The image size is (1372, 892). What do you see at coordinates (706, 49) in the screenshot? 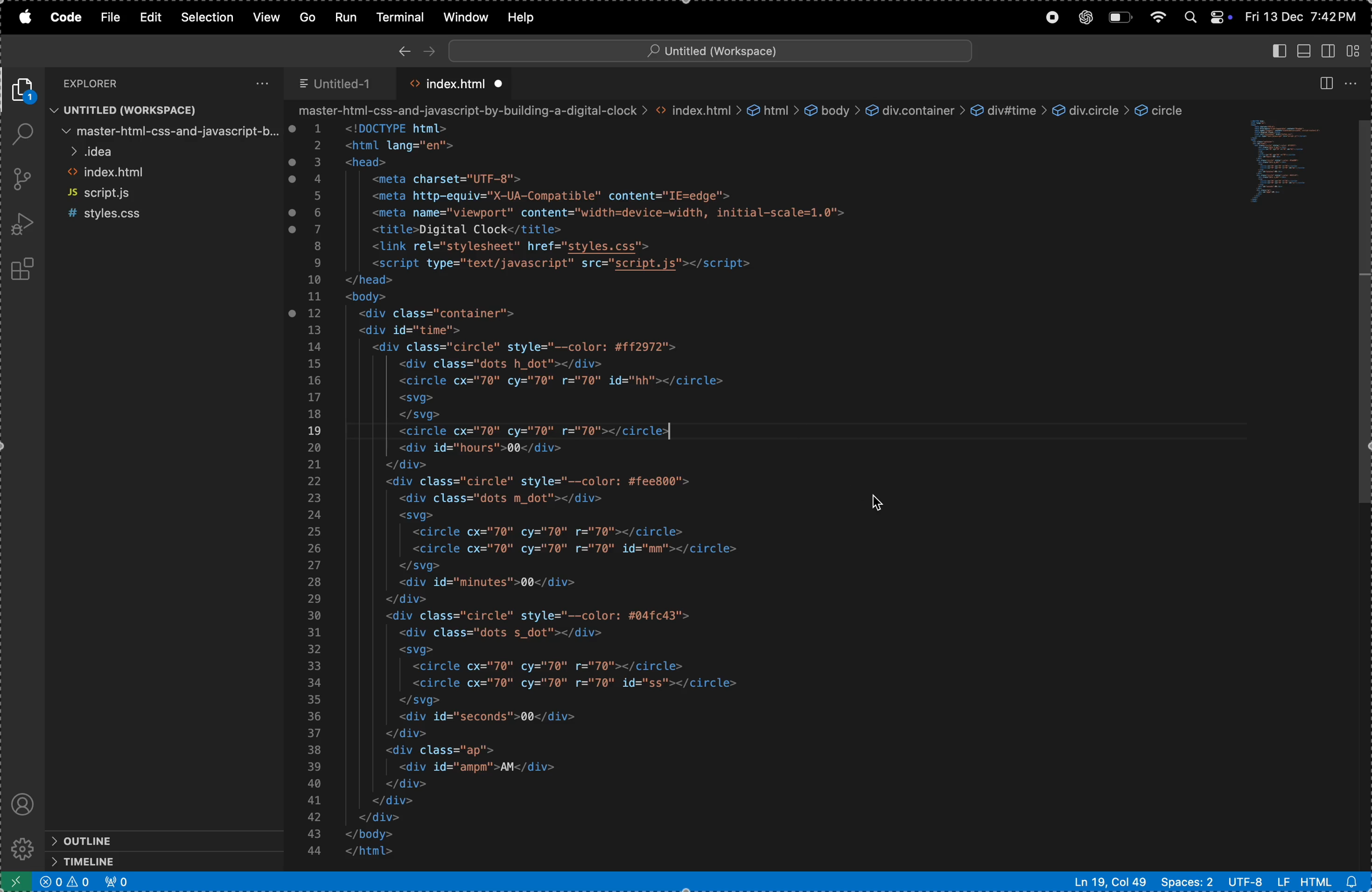
I see `untitled work scape` at bounding box center [706, 49].